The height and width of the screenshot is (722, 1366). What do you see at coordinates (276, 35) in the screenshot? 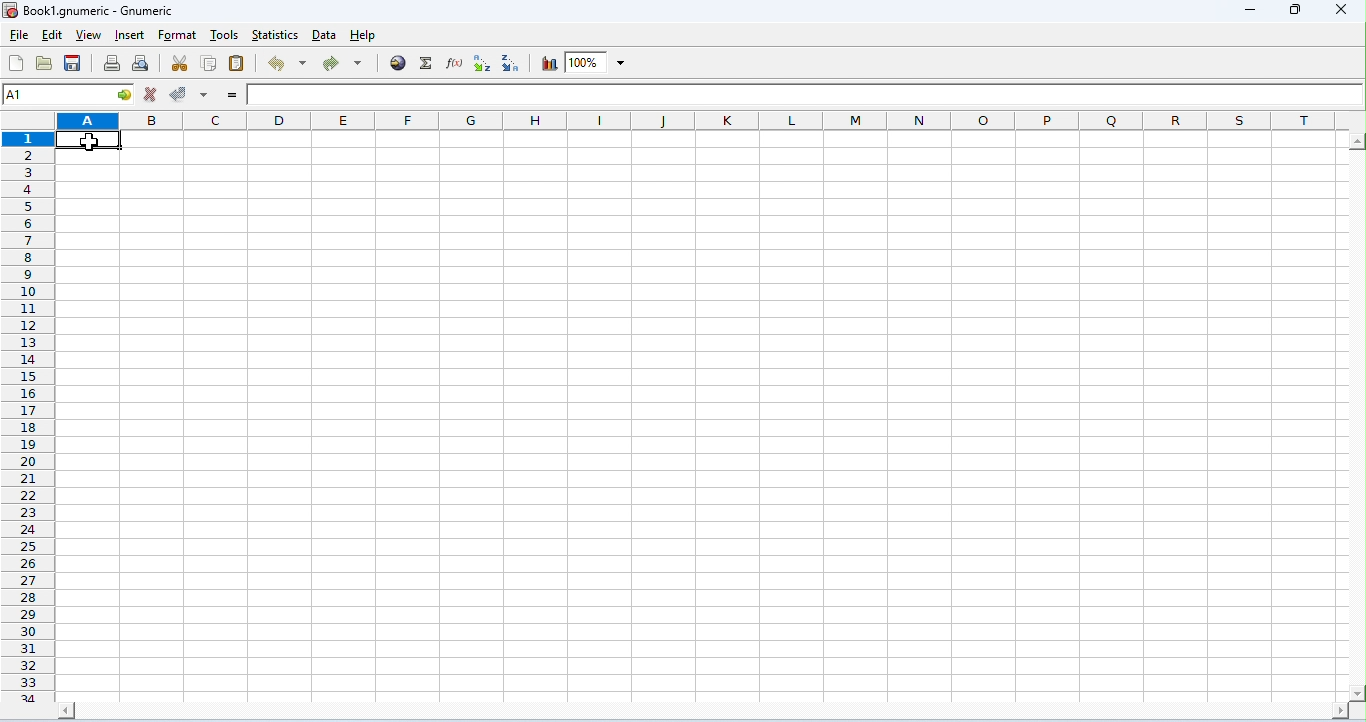
I see `statistics` at bounding box center [276, 35].